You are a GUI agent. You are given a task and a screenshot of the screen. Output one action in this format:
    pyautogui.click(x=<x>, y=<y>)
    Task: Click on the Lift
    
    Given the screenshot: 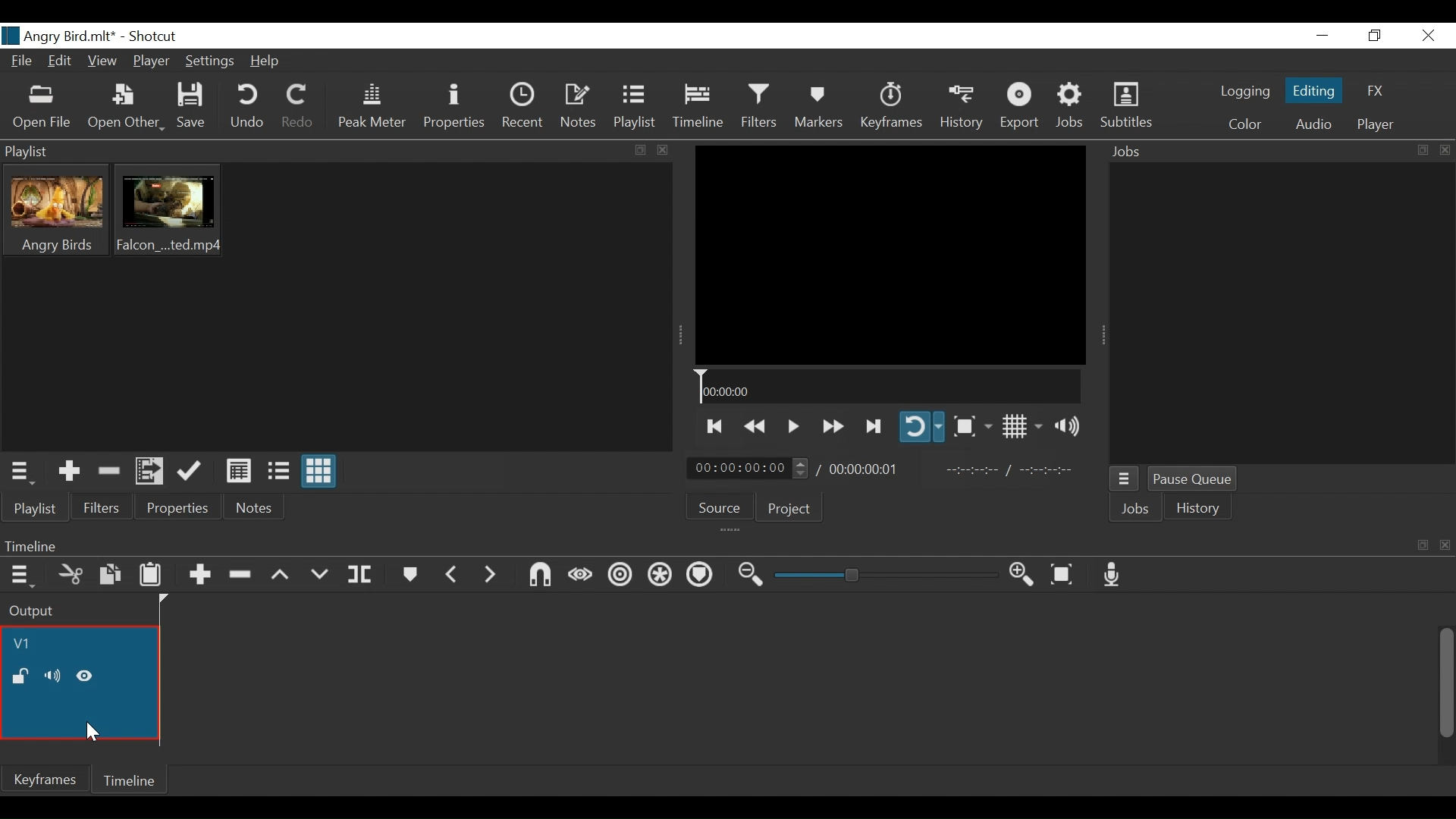 What is the action you would take?
    pyautogui.click(x=278, y=576)
    